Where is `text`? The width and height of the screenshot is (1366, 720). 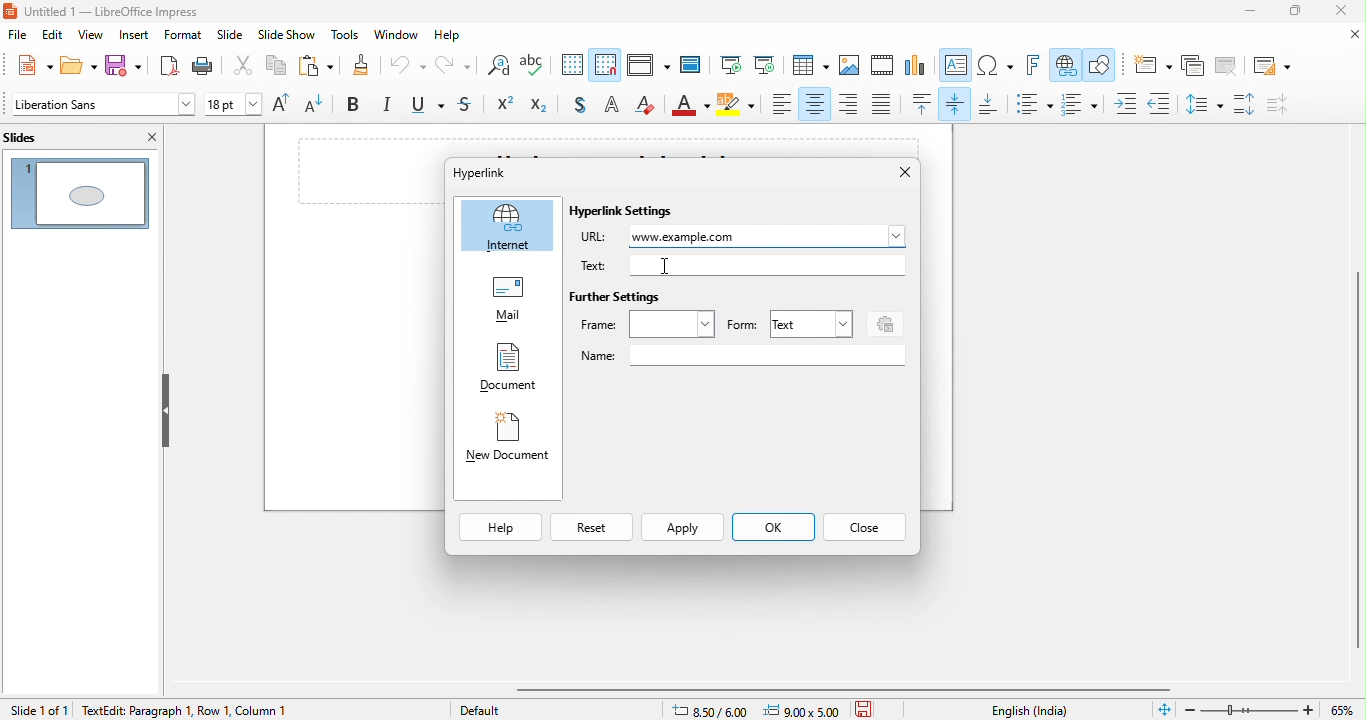 text is located at coordinates (742, 265).